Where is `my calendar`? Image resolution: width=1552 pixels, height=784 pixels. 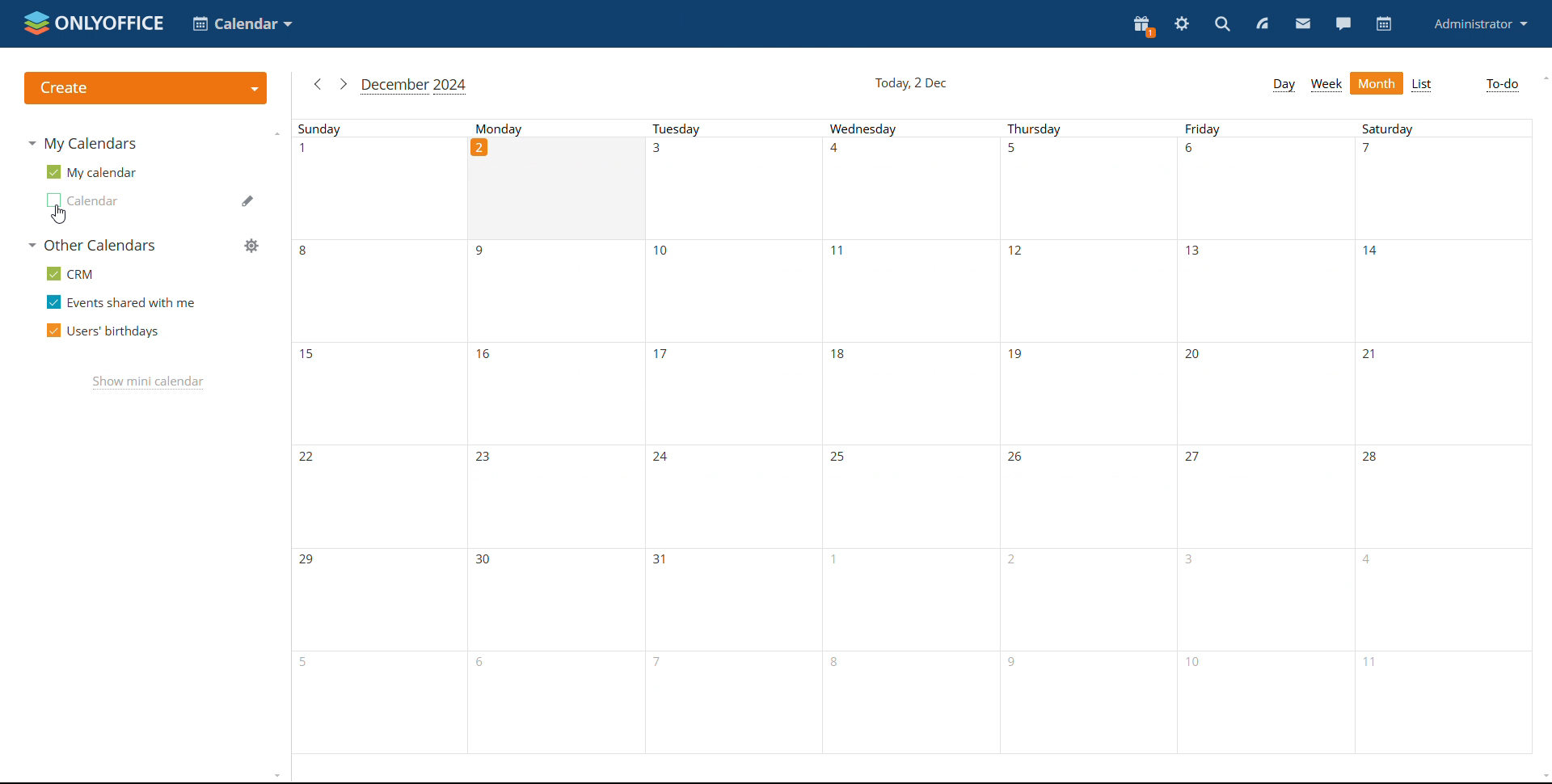
my calendar is located at coordinates (92, 171).